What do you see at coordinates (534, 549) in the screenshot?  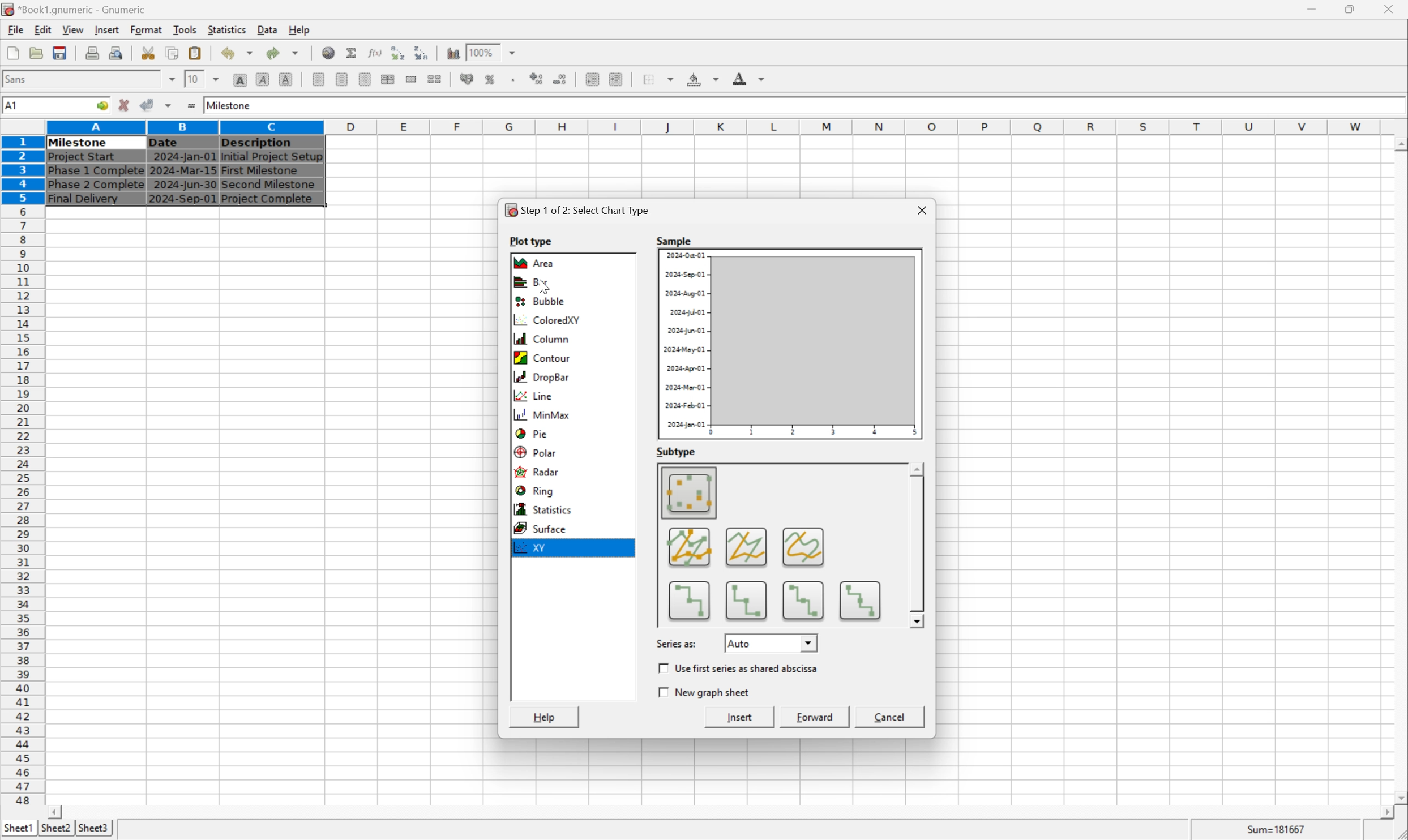 I see `XY` at bounding box center [534, 549].